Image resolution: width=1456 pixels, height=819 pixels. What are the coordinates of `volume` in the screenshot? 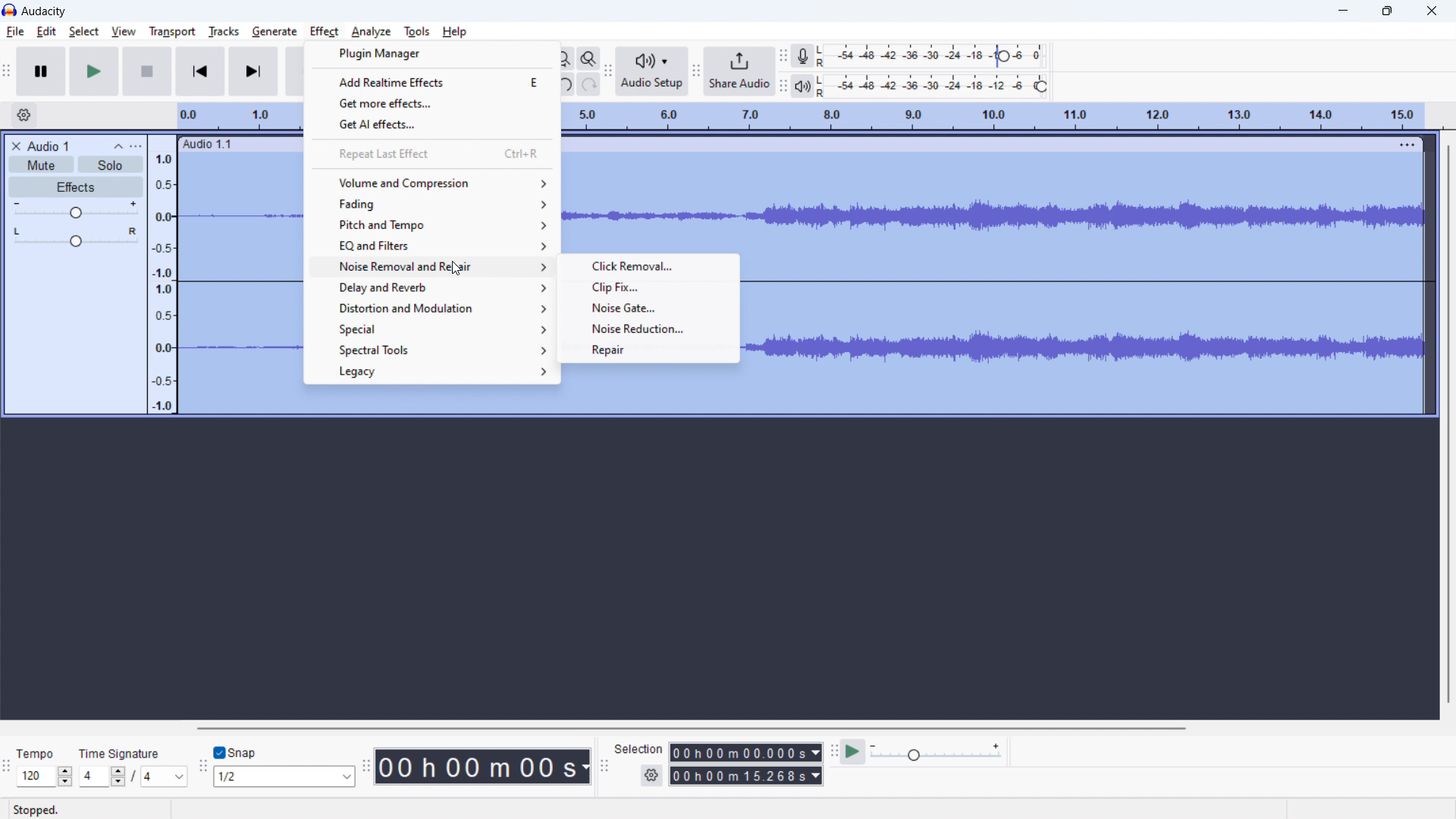 It's located at (76, 209).